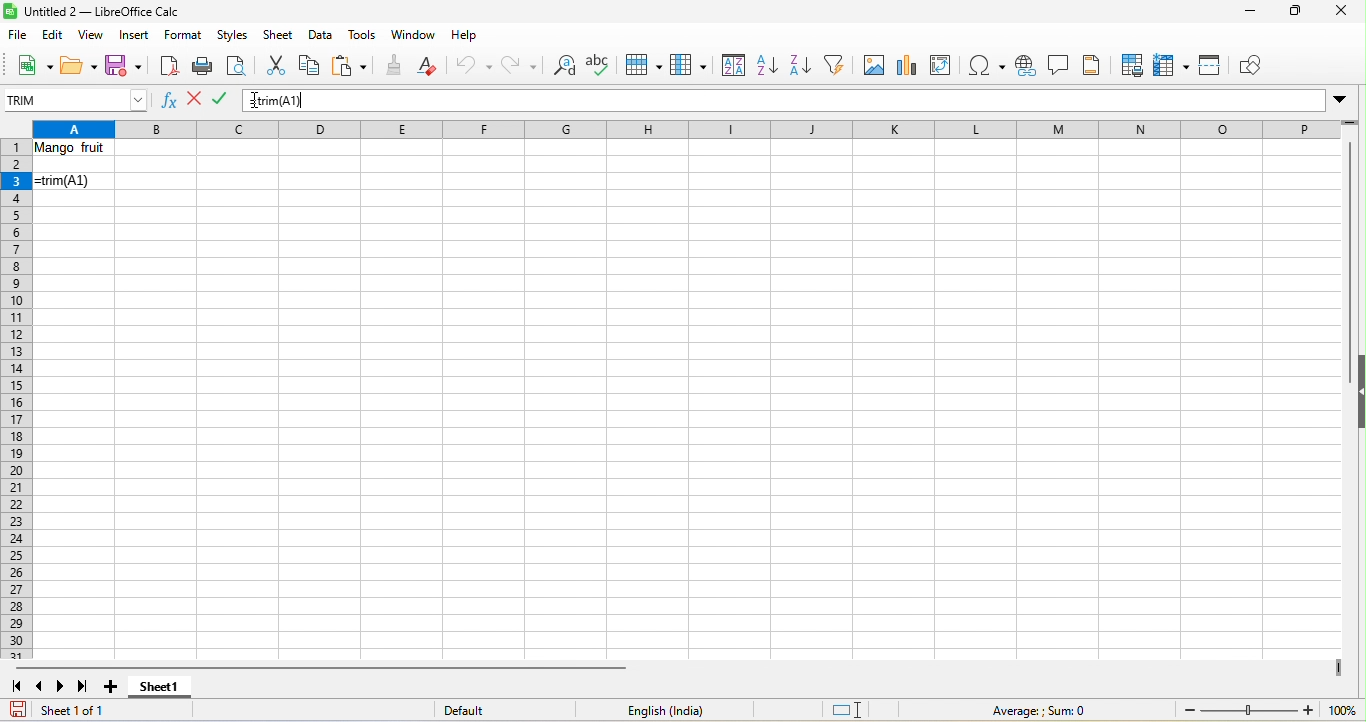  What do you see at coordinates (809, 101) in the screenshot?
I see `=trim (a1)` at bounding box center [809, 101].